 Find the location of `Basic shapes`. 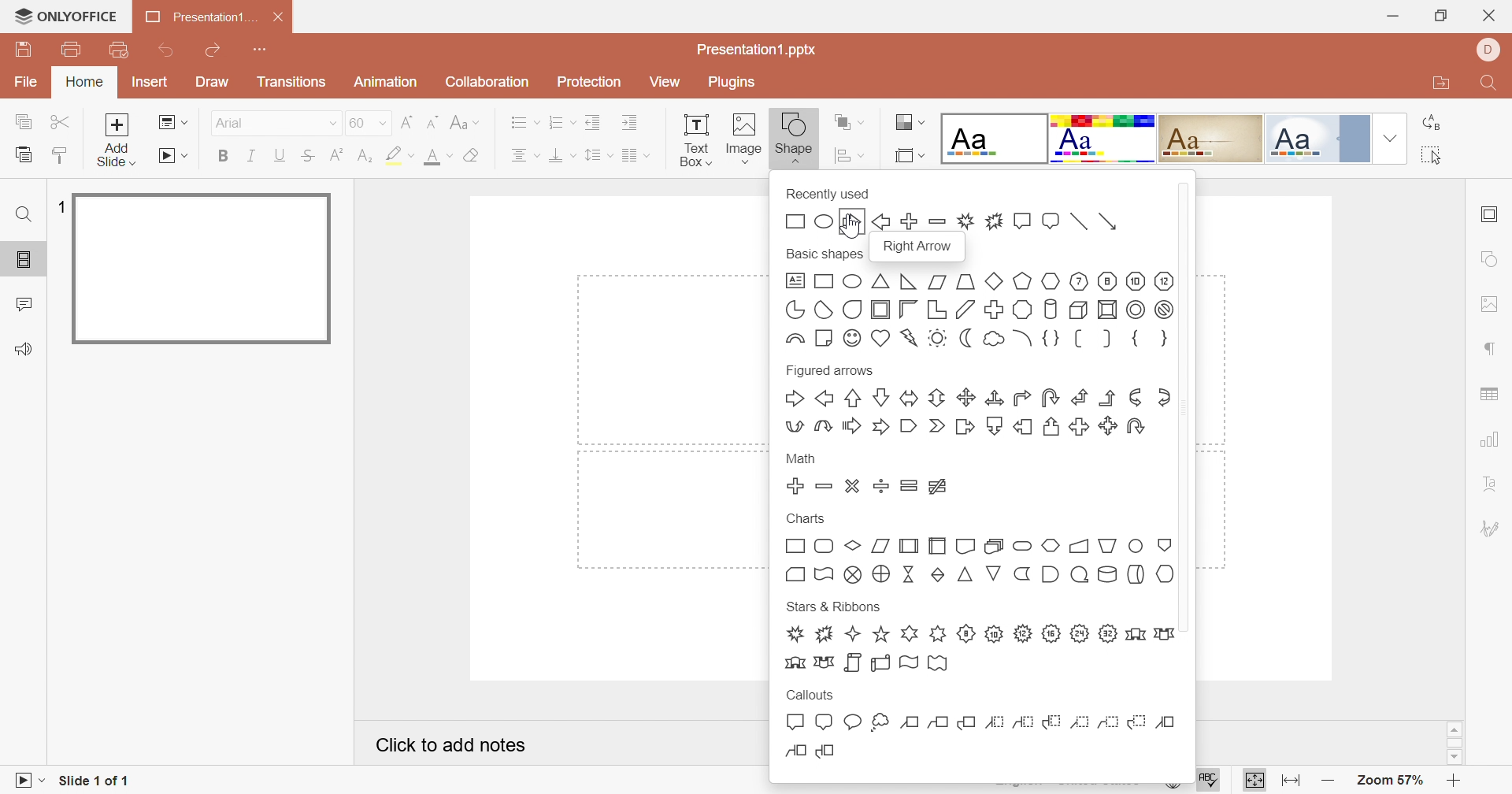

Basic shapes is located at coordinates (825, 254).